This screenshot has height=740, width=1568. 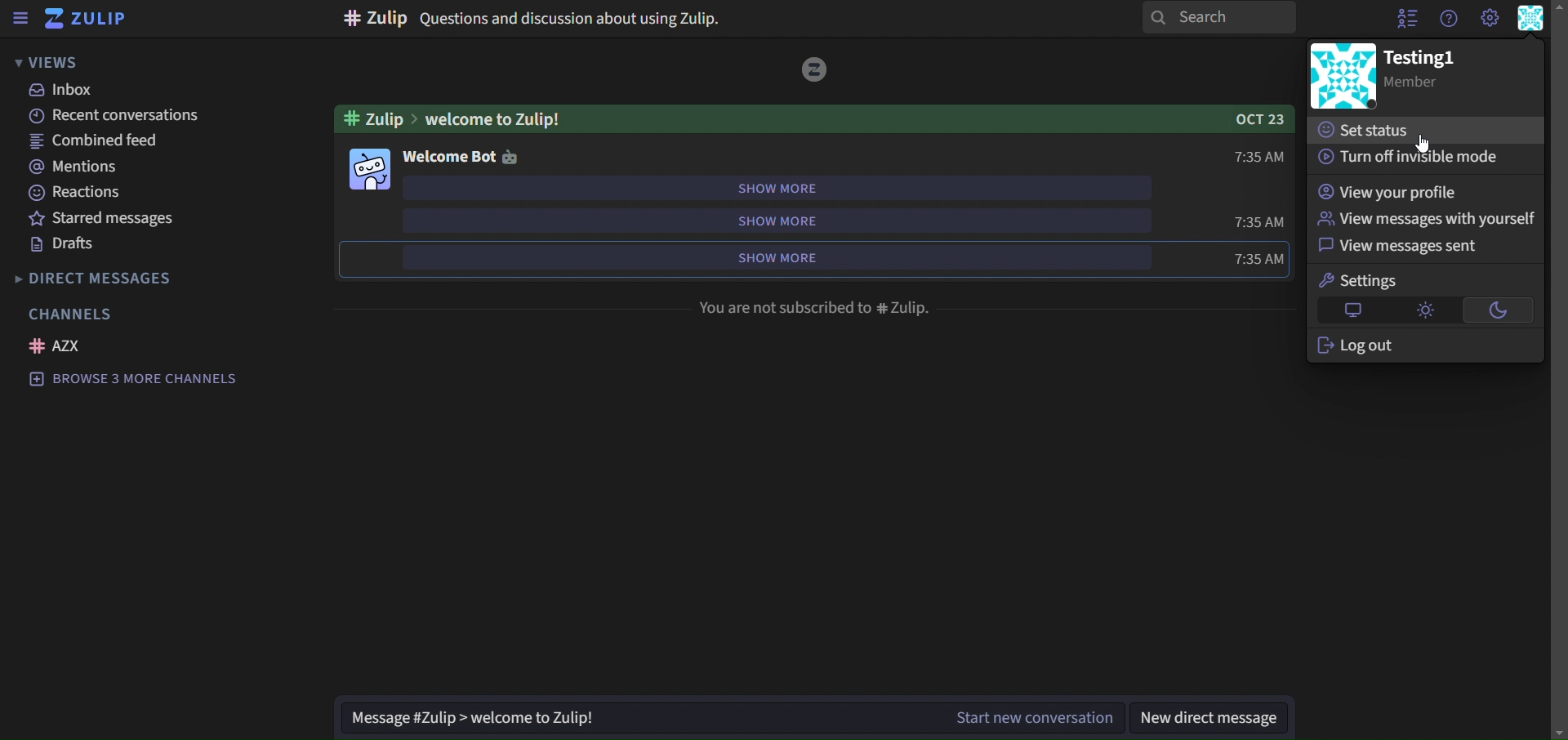 What do you see at coordinates (486, 717) in the screenshot?
I see `message#zulip>welcome to zulip!` at bounding box center [486, 717].